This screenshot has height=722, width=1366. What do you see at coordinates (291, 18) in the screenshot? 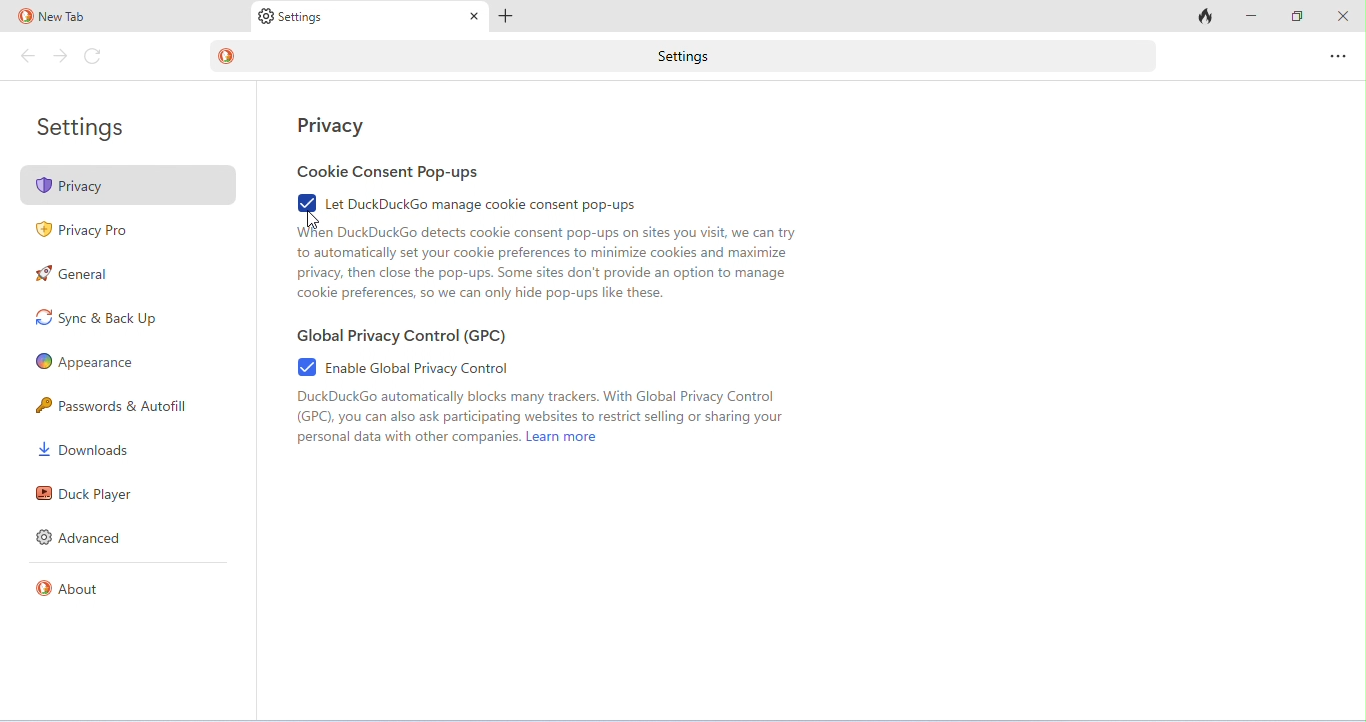
I see `settings` at bounding box center [291, 18].